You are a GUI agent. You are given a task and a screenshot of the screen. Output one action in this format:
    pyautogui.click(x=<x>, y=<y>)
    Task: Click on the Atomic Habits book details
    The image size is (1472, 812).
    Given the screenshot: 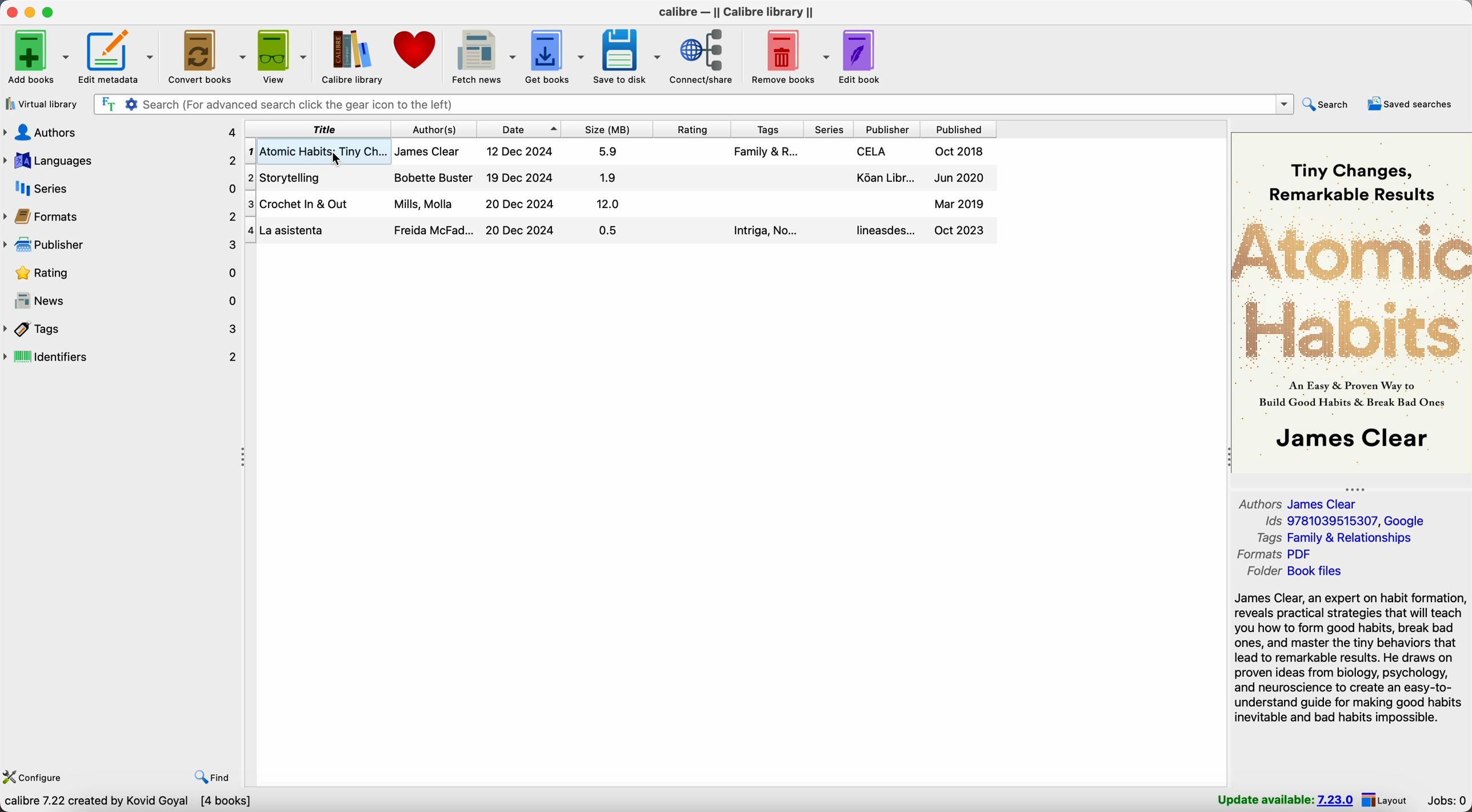 What is the action you would take?
    pyautogui.click(x=282, y=150)
    